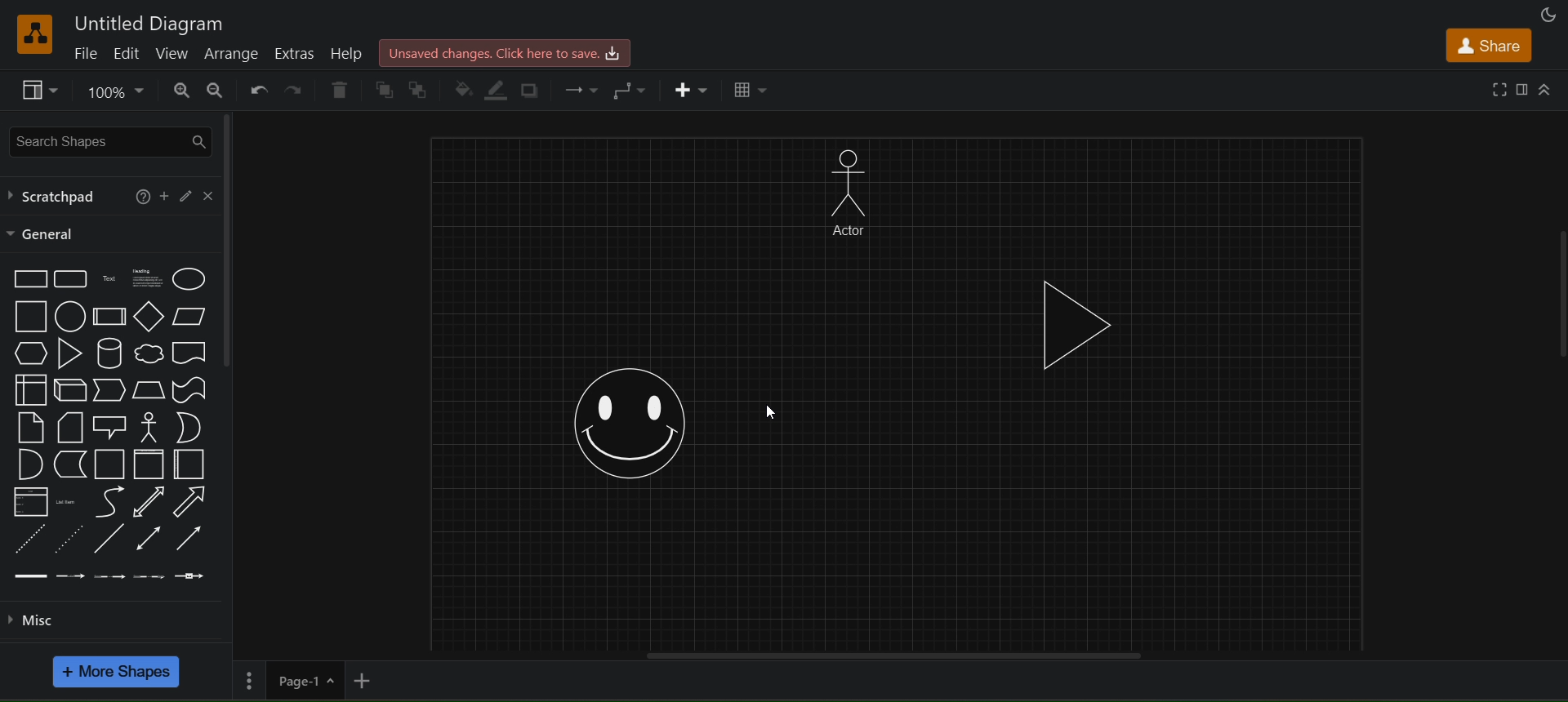 The width and height of the screenshot is (1568, 702). What do you see at coordinates (148, 389) in the screenshot?
I see `trapezoid` at bounding box center [148, 389].